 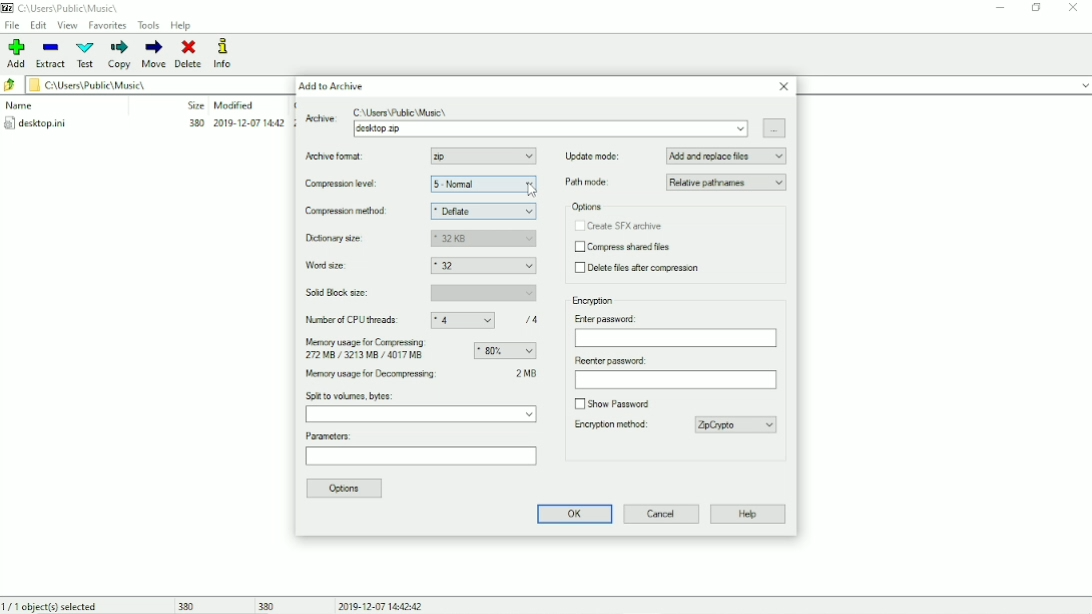 I want to click on Date and Time, so click(x=384, y=605).